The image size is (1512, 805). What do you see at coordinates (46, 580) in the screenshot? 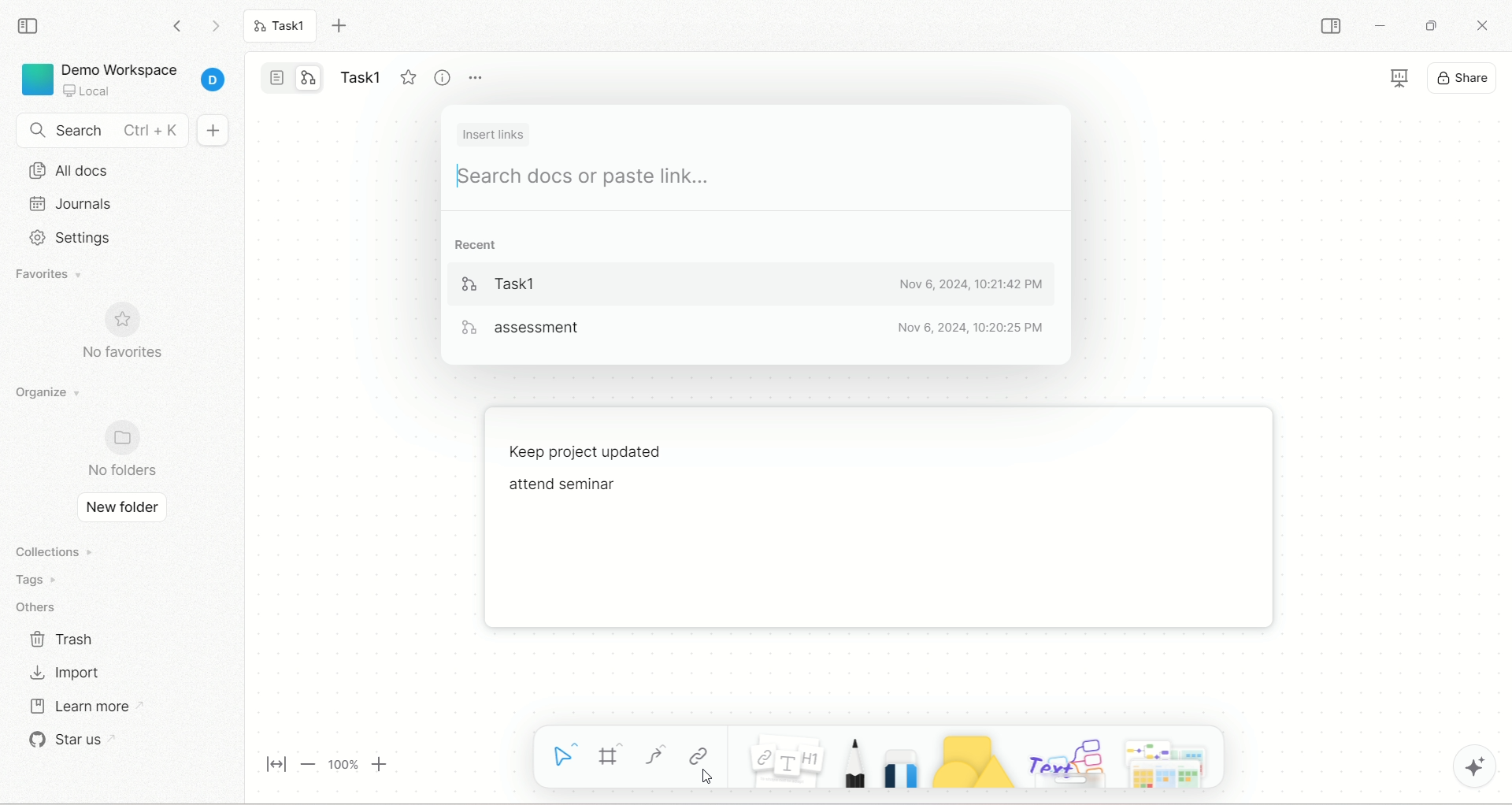
I see `tags` at bounding box center [46, 580].